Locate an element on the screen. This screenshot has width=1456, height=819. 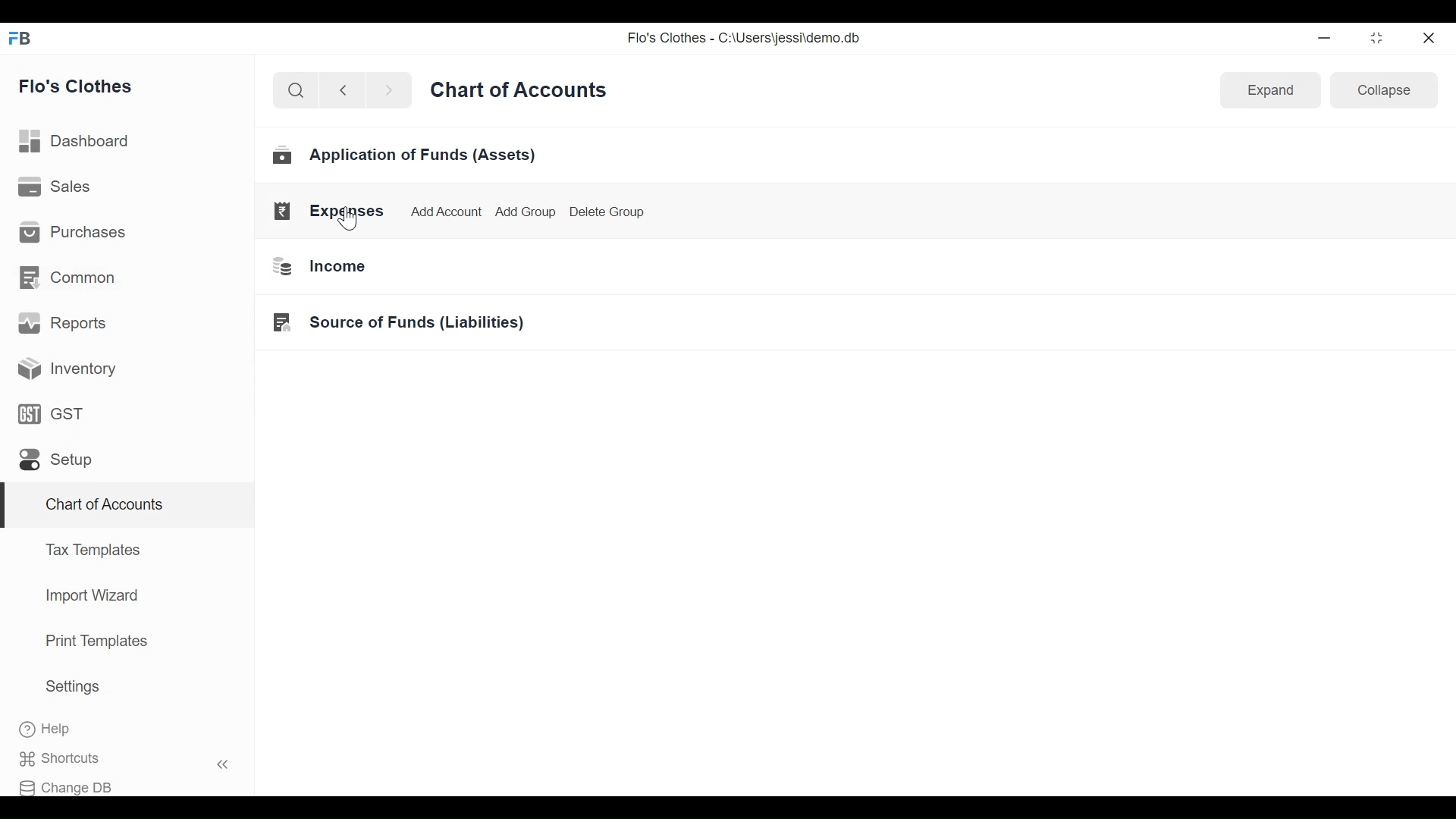
Chart of Accounts is located at coordinates (101, 507).